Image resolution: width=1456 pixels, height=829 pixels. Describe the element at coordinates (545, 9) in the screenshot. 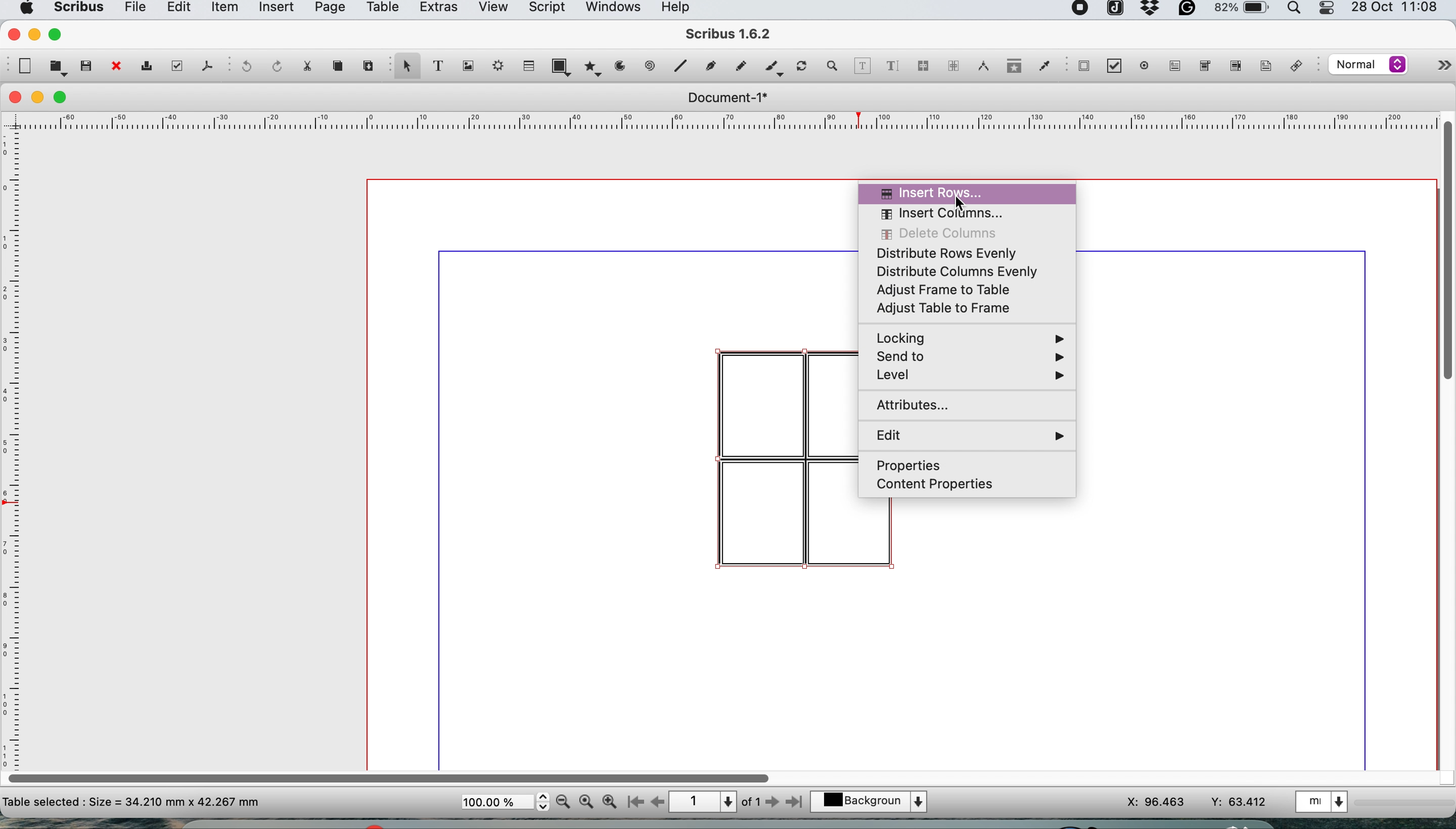

I see `script` at that location.